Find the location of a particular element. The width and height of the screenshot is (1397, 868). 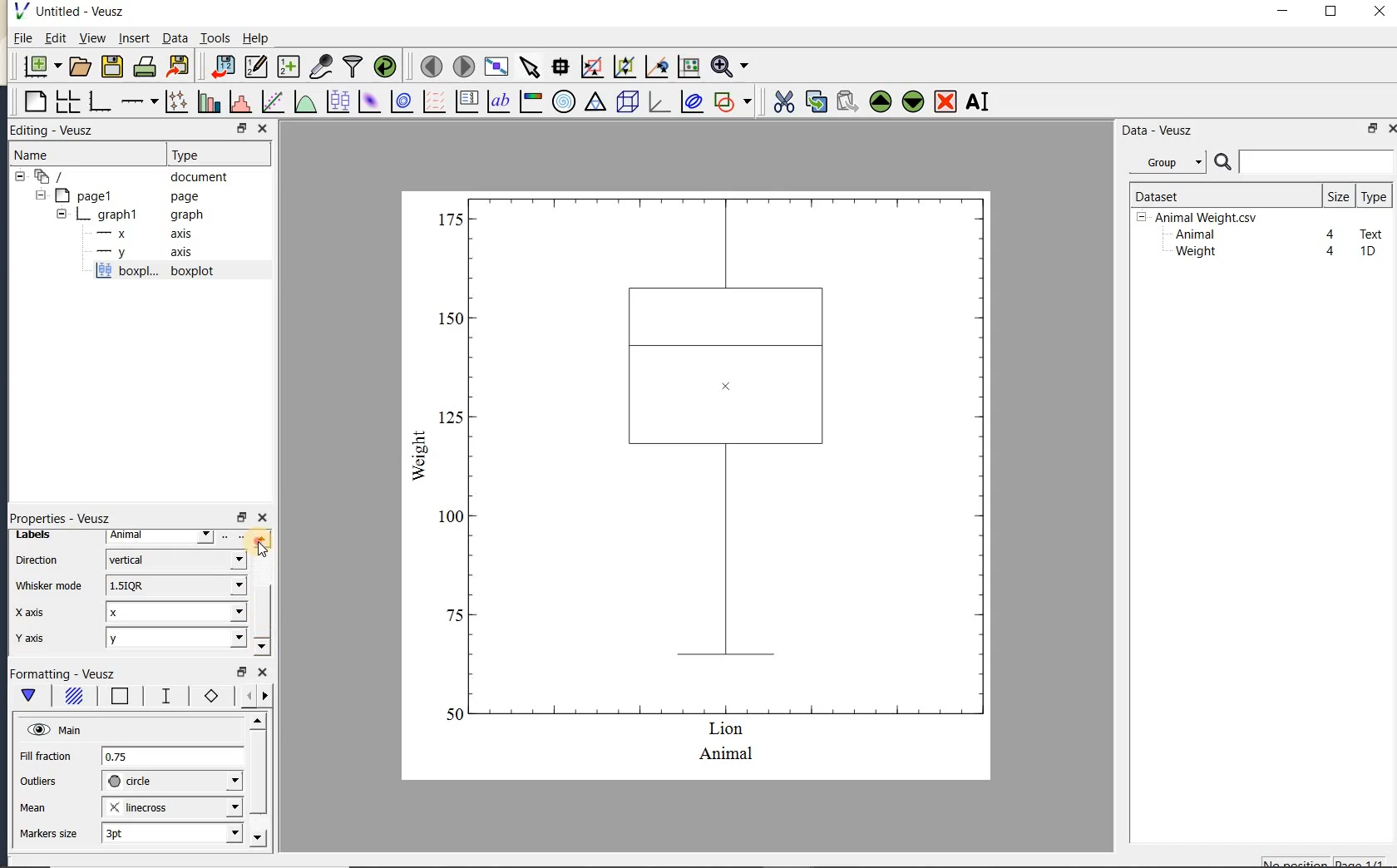

Weight is located at coordinates (1194, 253).